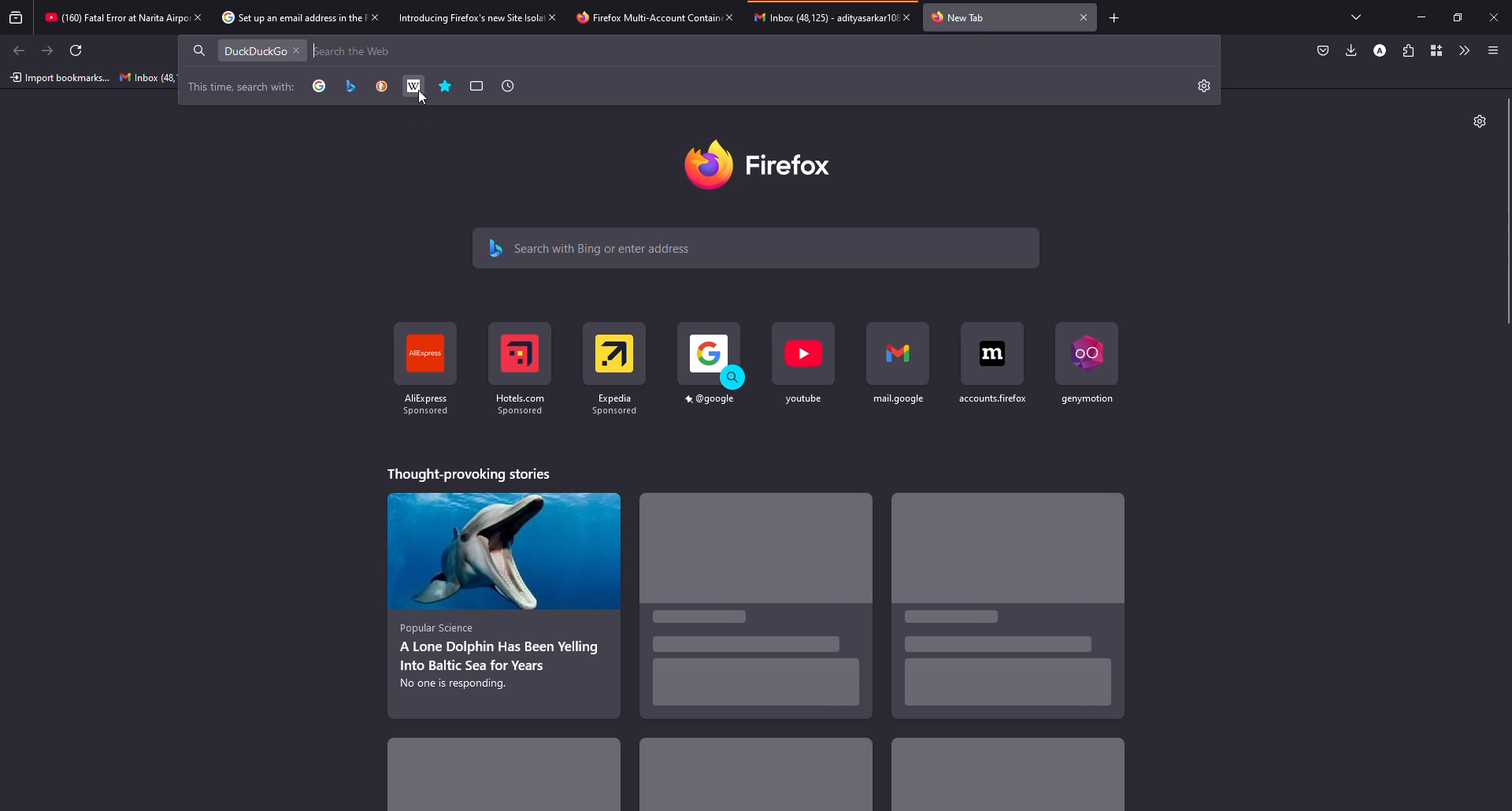 The image size is (1512, 811). I want to click on stories, so click(1011, 608).